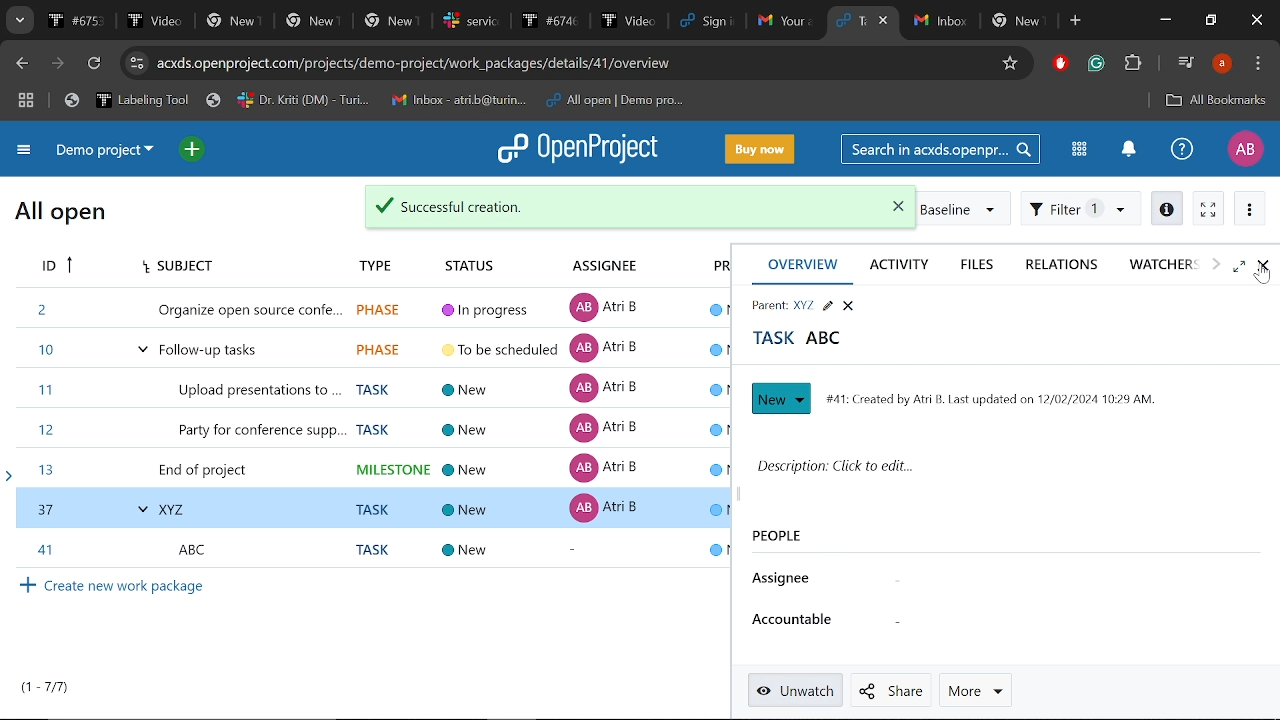  Describe the element at coordinates (374, 101) in the screenshot. I see `Bookmarks` at that location.